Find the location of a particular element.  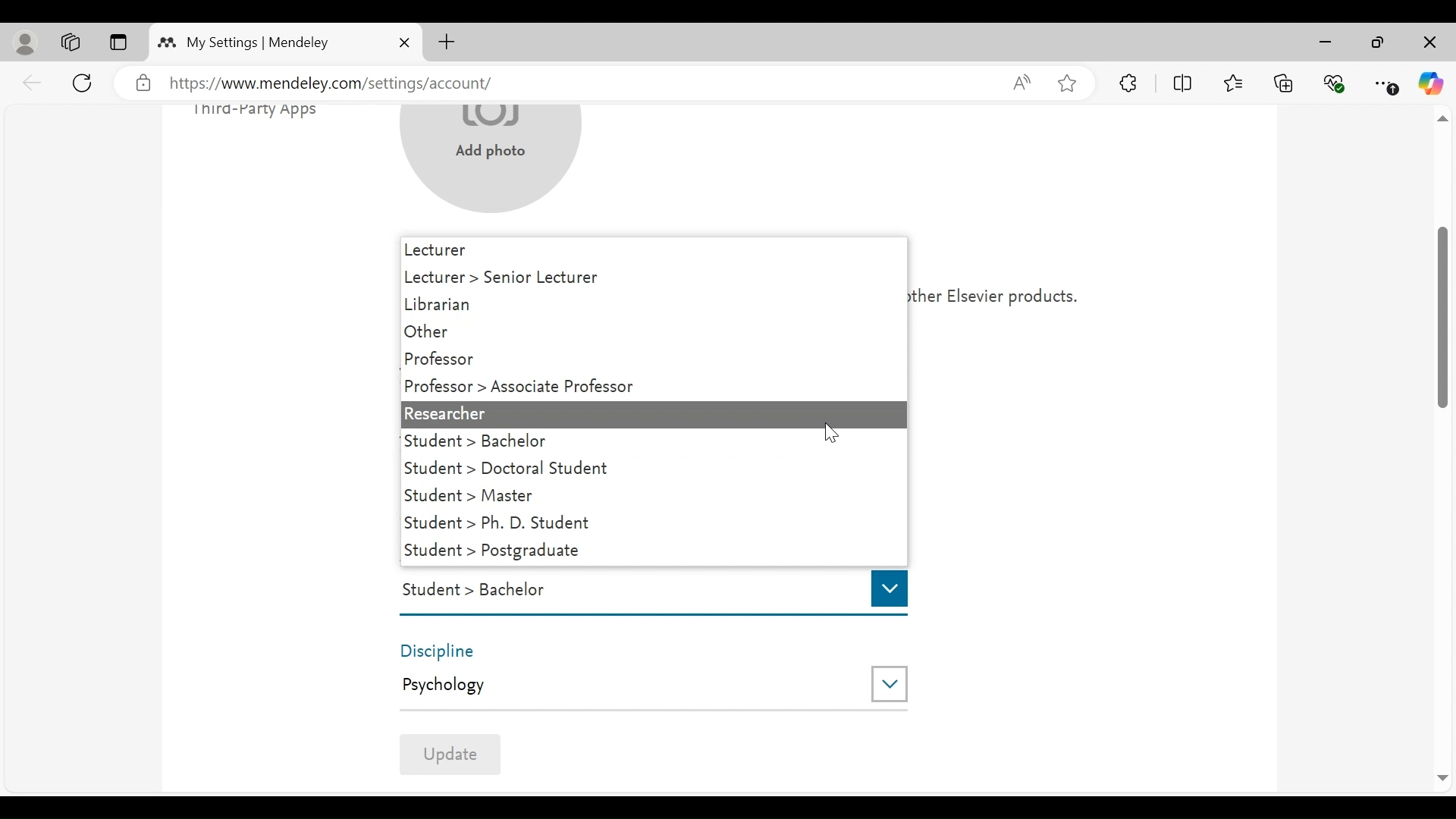

Drop down is located at coordinates (890, 588).